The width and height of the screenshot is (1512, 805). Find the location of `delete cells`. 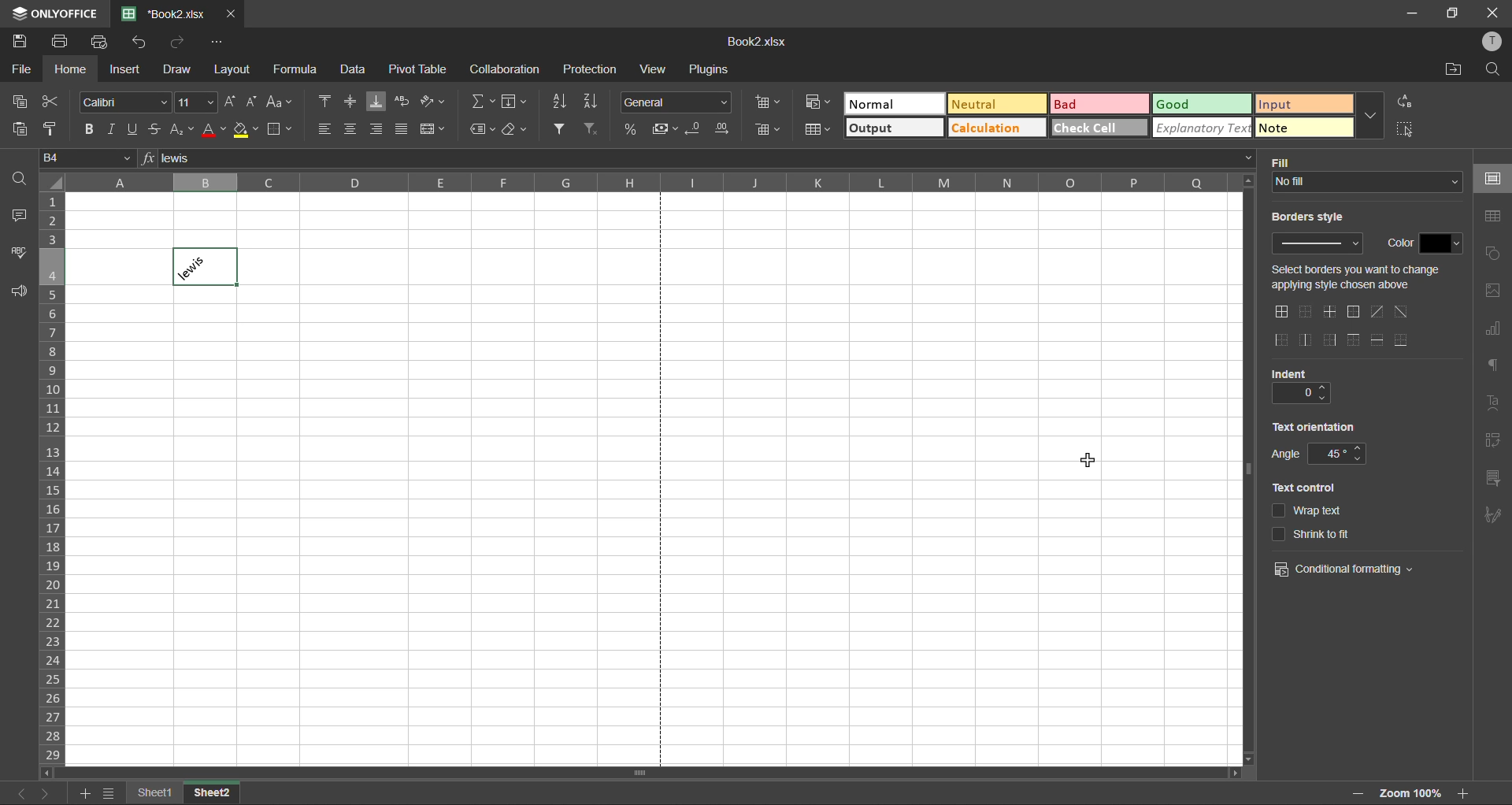

delete cells is located at coordinates (768, 131).